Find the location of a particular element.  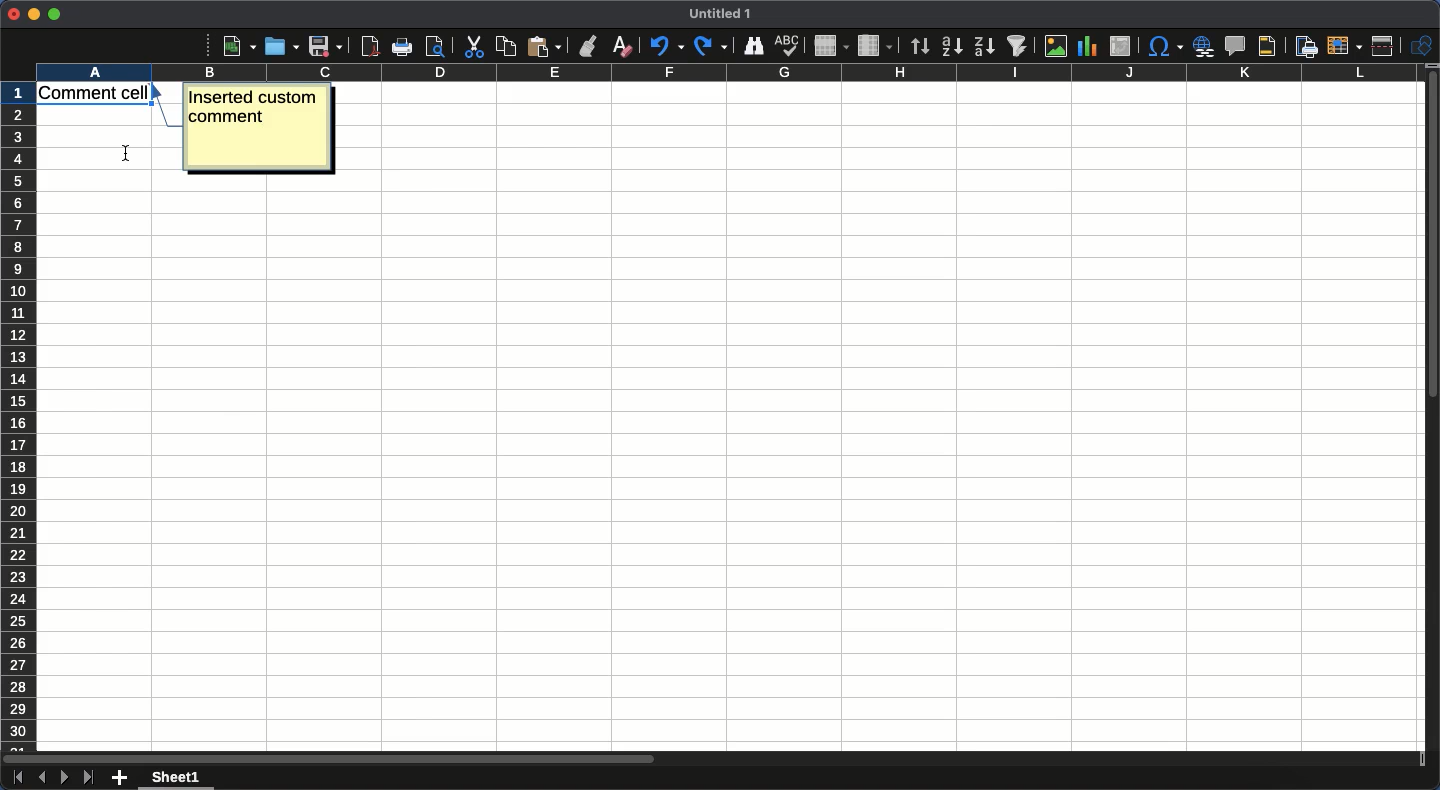

Print is located at coordinates (402, 46).